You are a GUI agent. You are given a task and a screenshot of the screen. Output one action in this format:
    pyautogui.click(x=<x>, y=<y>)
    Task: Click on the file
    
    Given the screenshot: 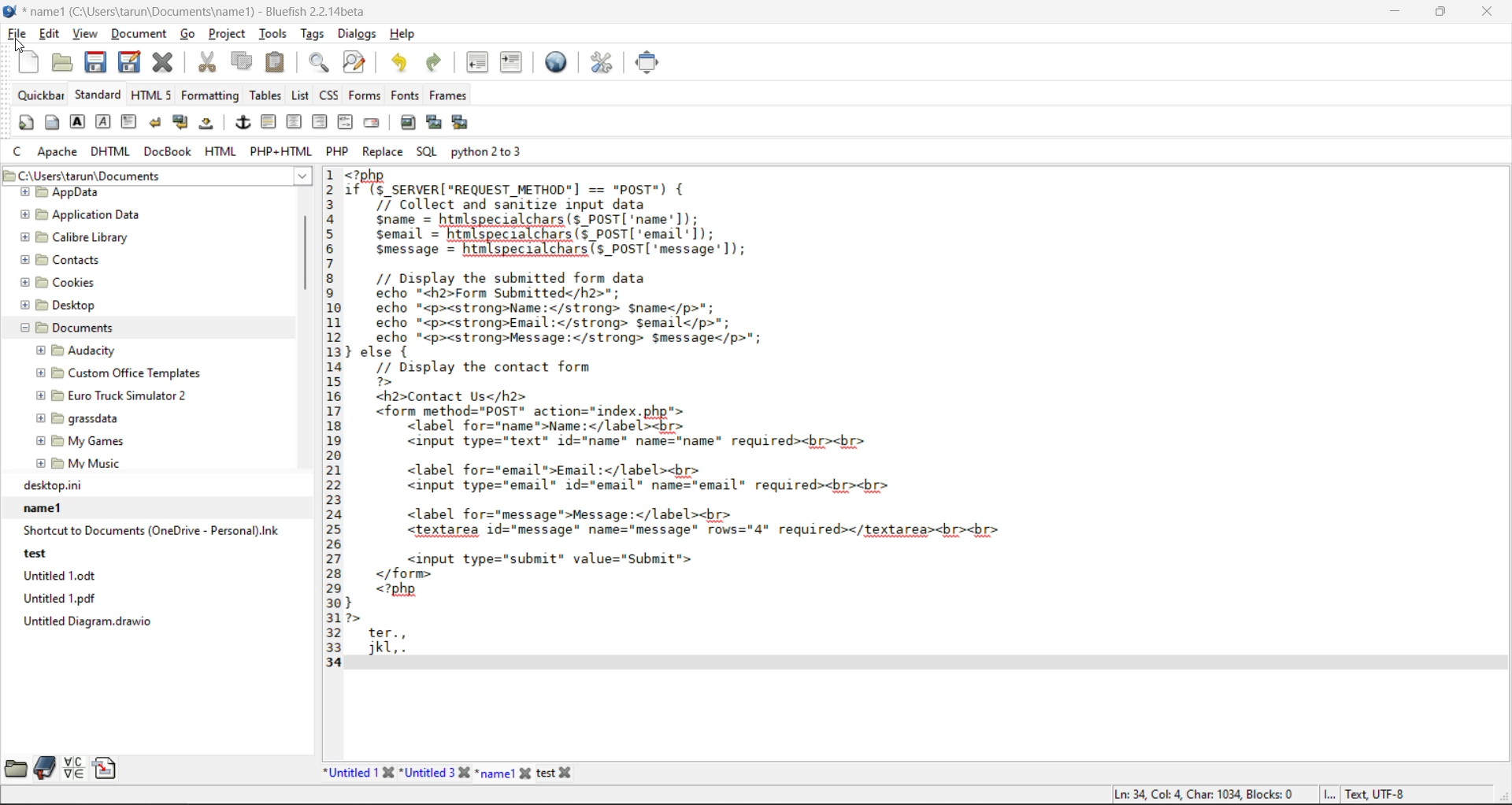 What is the action you would take?
    pyautogui.click(x=17, y=34)
    